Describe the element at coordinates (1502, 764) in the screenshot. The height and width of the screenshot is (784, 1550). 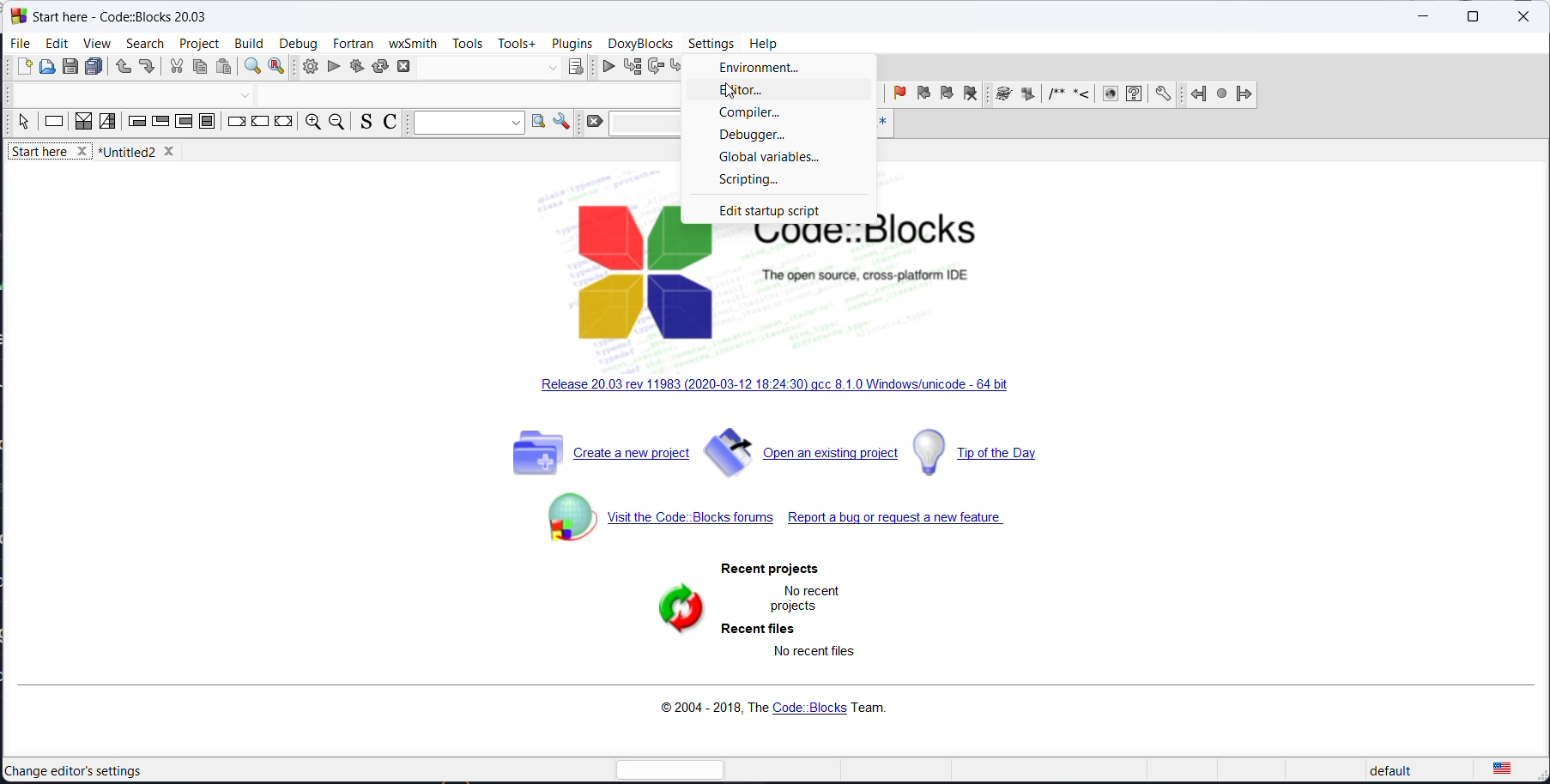
I see `English US Language` at that location.